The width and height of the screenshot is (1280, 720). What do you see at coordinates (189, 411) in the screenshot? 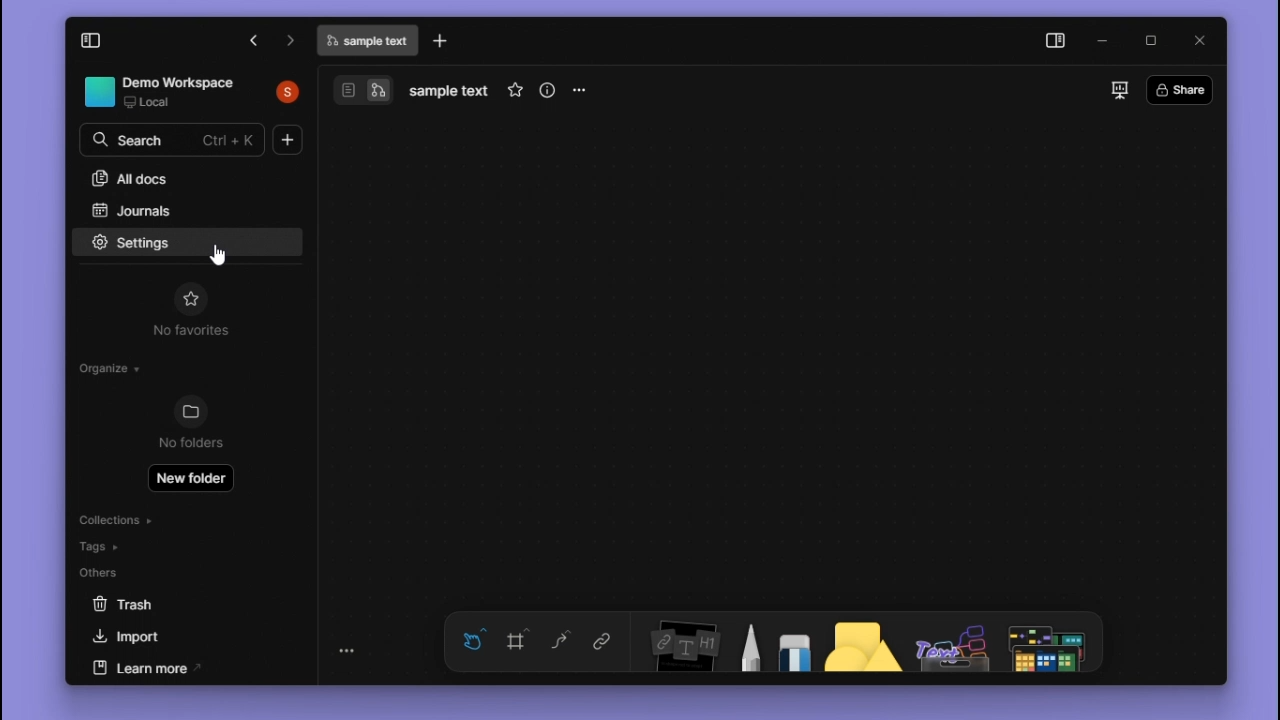
I see `folder icon` at bounding box center [189, 411].